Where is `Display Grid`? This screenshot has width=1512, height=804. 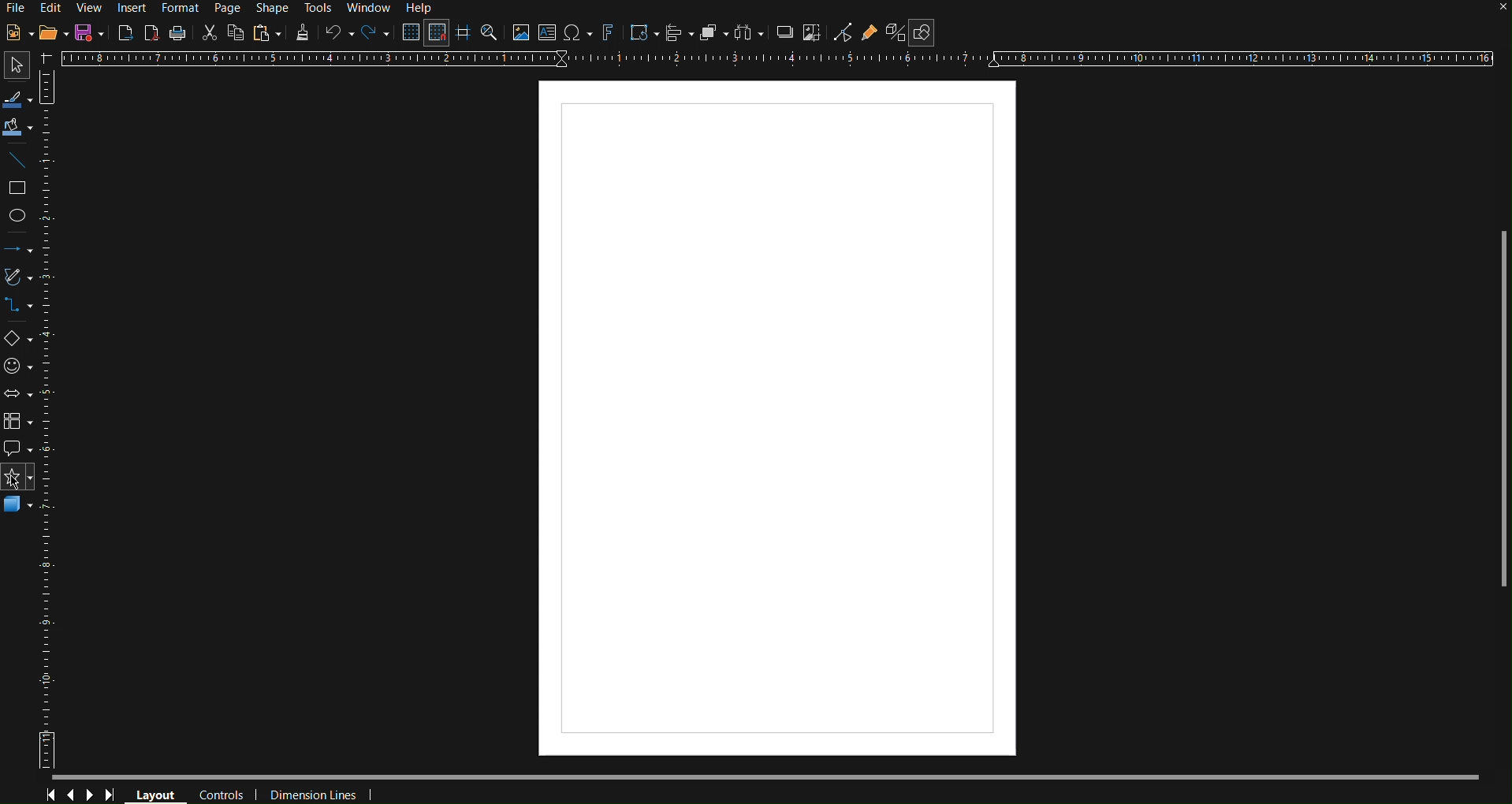
Display Grid is located at coordinates (408, 33).